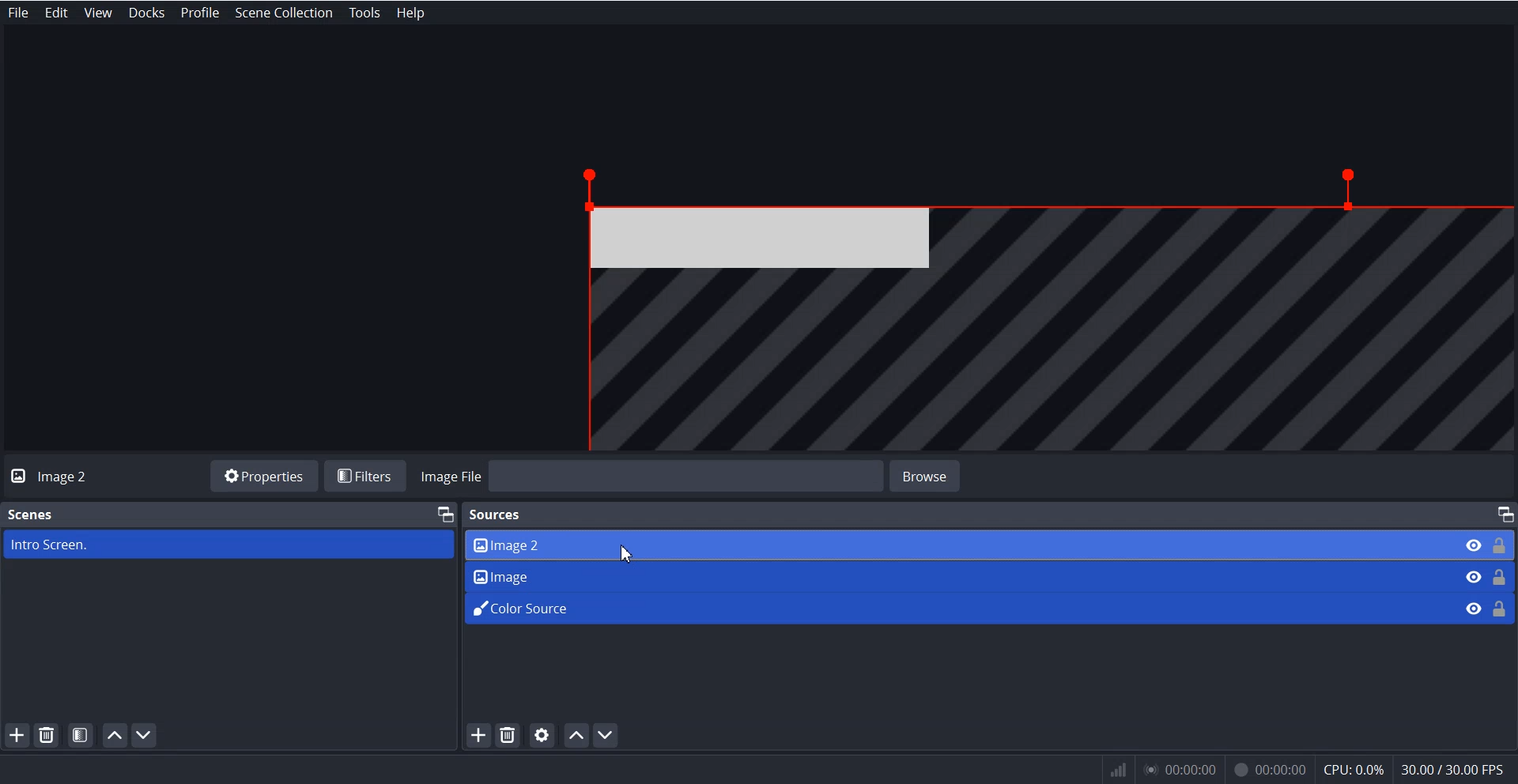 The width and height of the screenshot is (1518, 784). I want to click on Lock, so click(1501, 575).